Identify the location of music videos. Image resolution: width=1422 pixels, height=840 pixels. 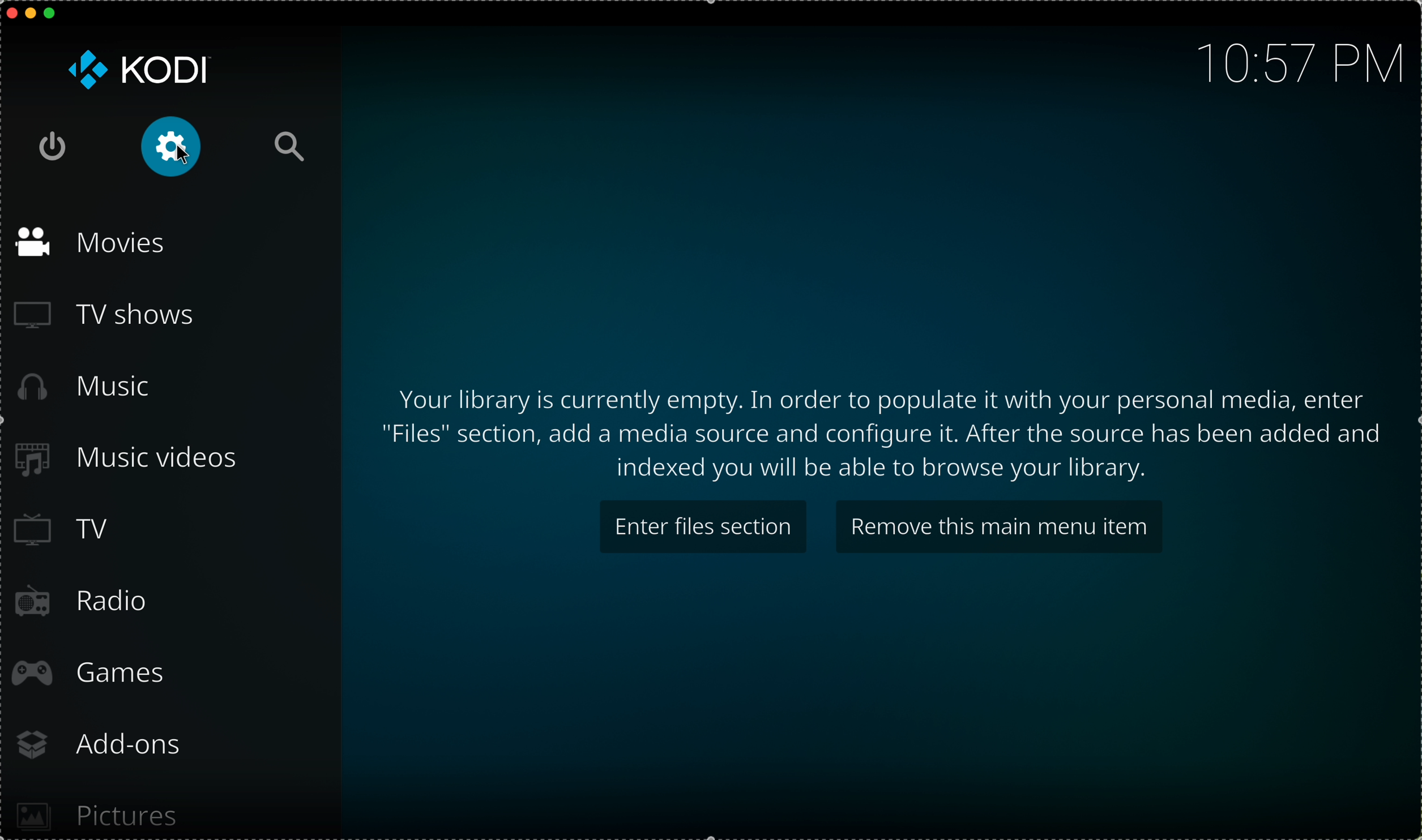
(137, 460).